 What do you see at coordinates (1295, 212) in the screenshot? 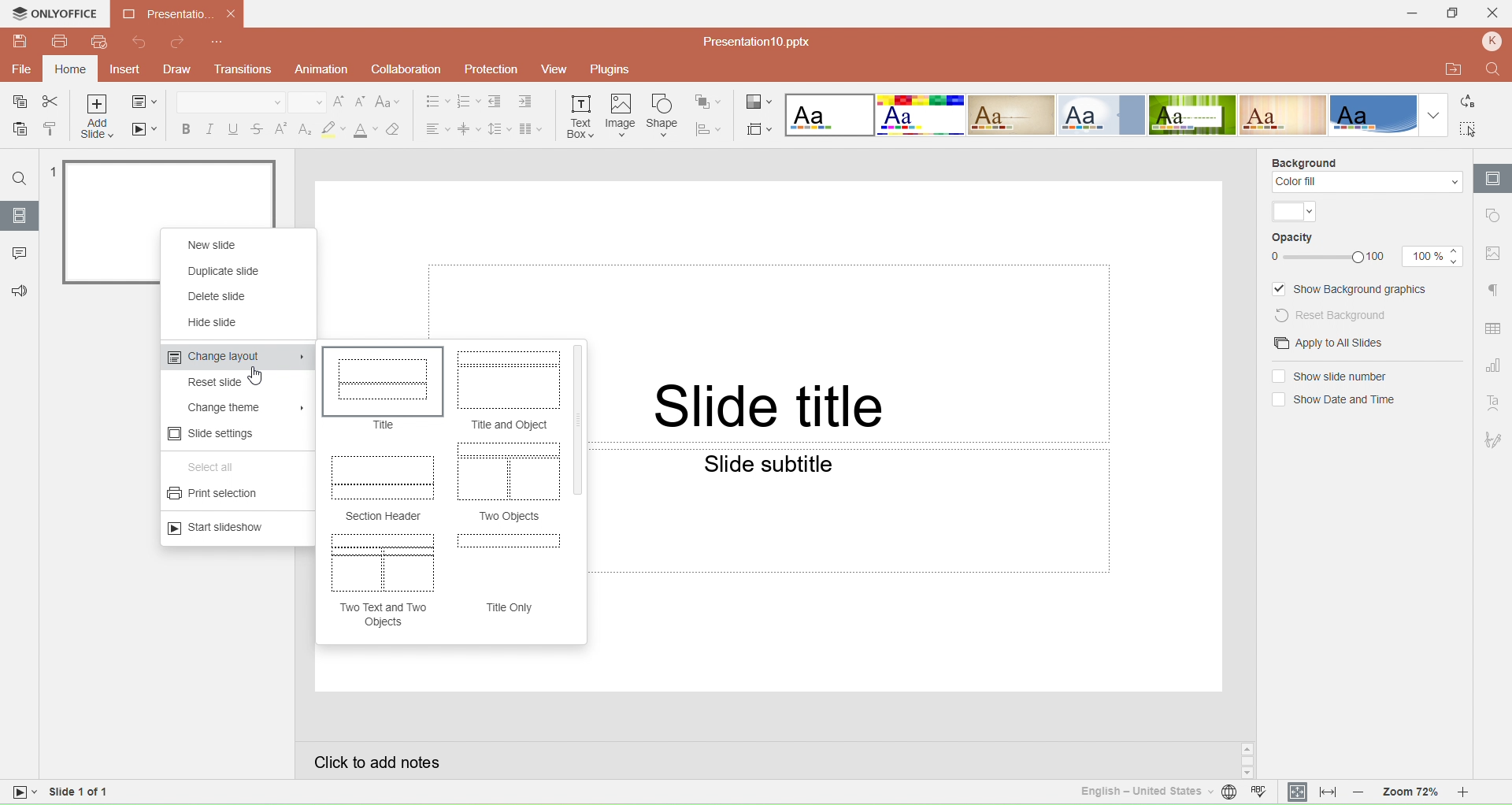
I see `Color theme` at bounding box center [1295, 212].